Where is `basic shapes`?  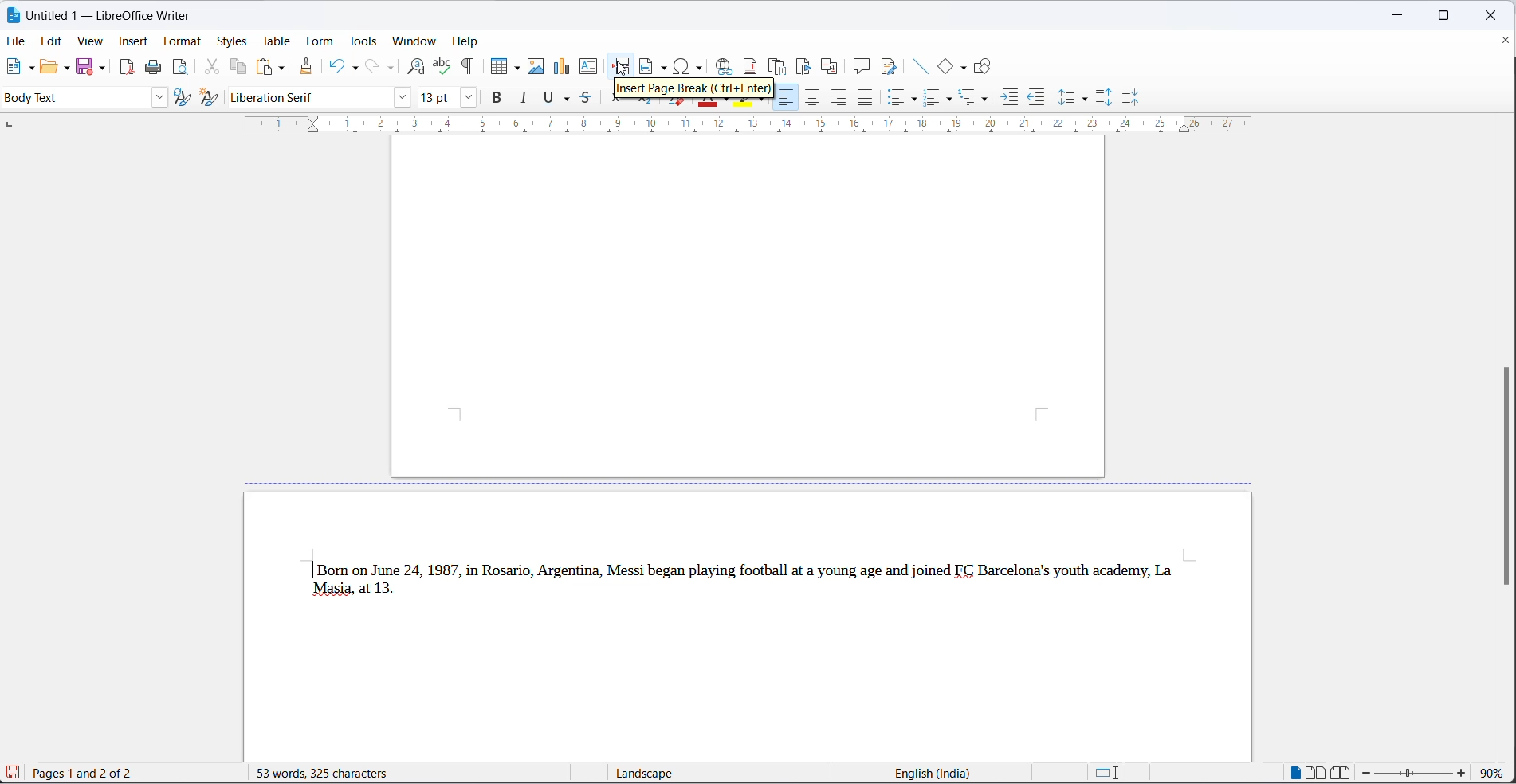
basic shapes is located at coordinates (948, 66).